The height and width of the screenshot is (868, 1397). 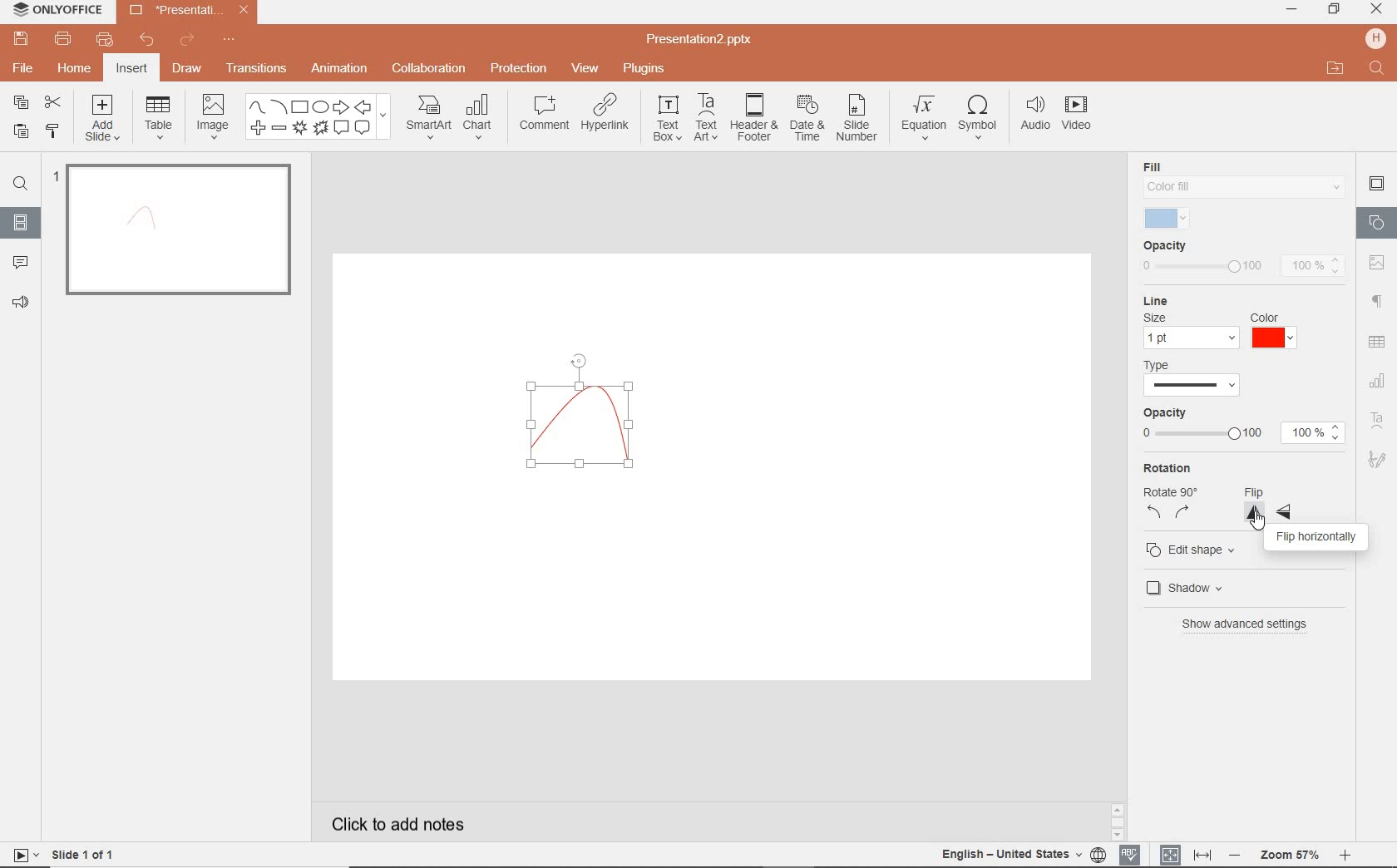 What do you see at coordinates (807, 121) in the screenshot?
I see `DATE & TIME` at bounding box center [807, 121].